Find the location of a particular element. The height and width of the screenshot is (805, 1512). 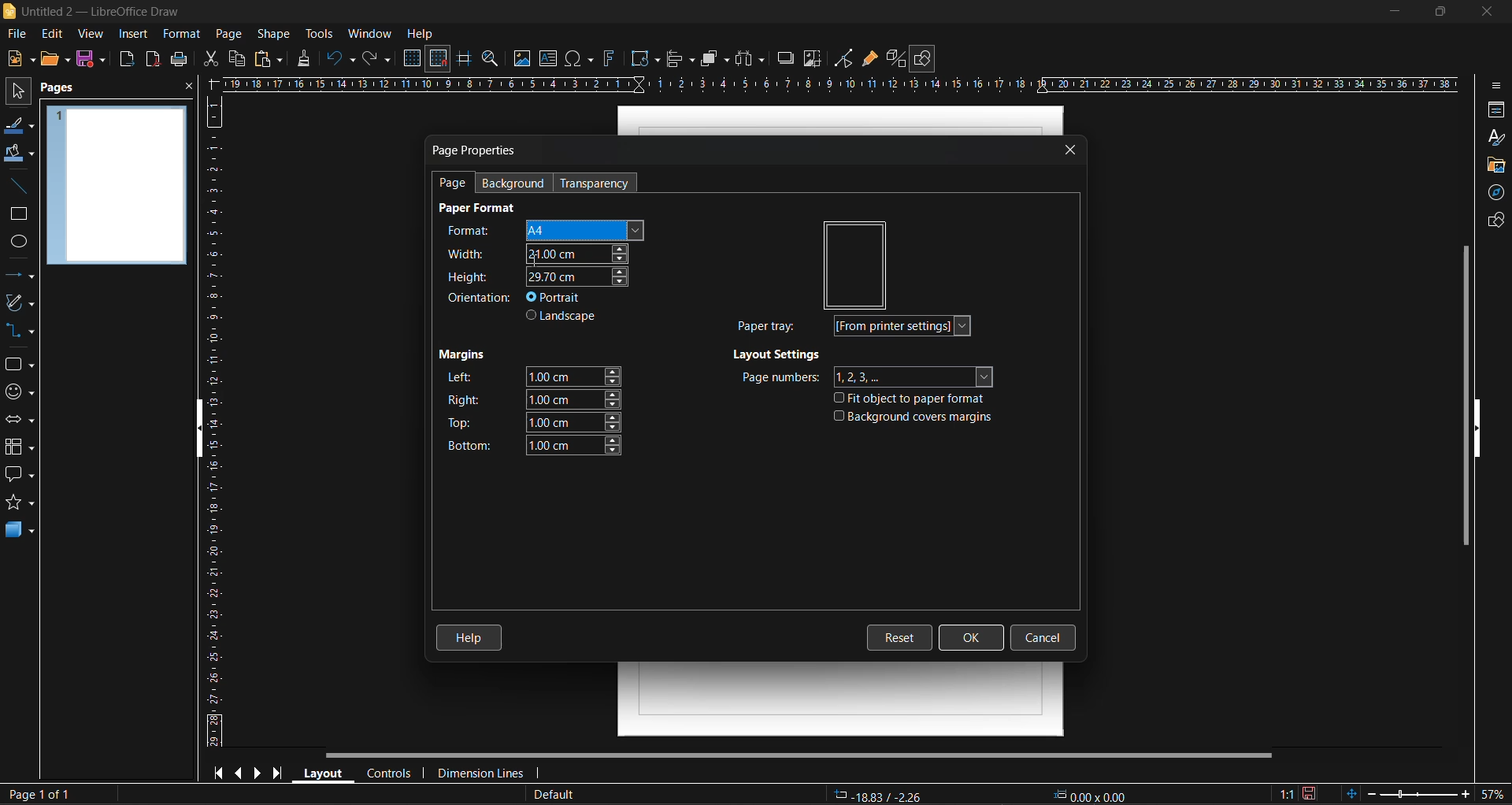

helplines is located at coordinates (465, 57).